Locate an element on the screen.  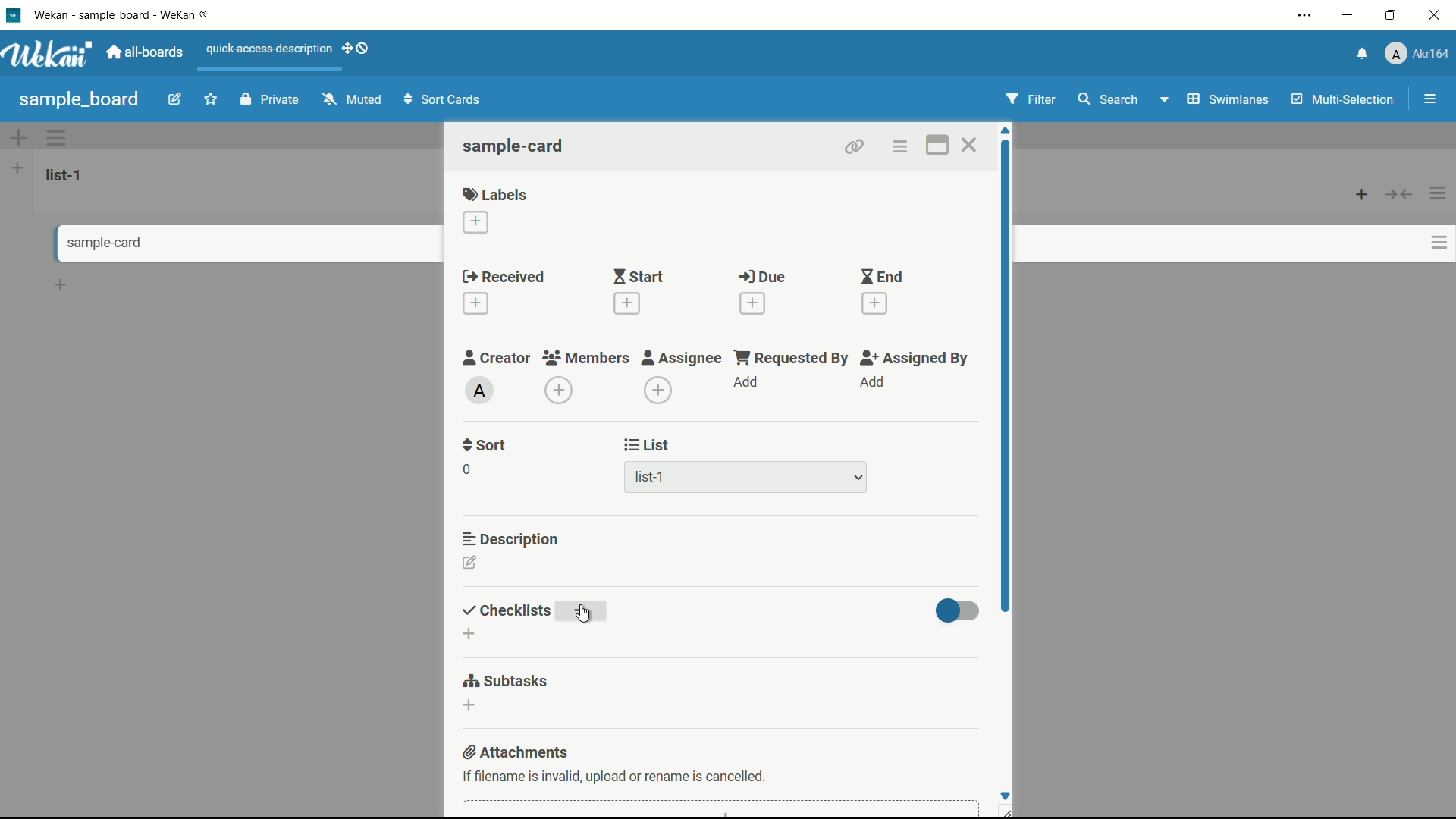
members is located at coordinates (585, 359).